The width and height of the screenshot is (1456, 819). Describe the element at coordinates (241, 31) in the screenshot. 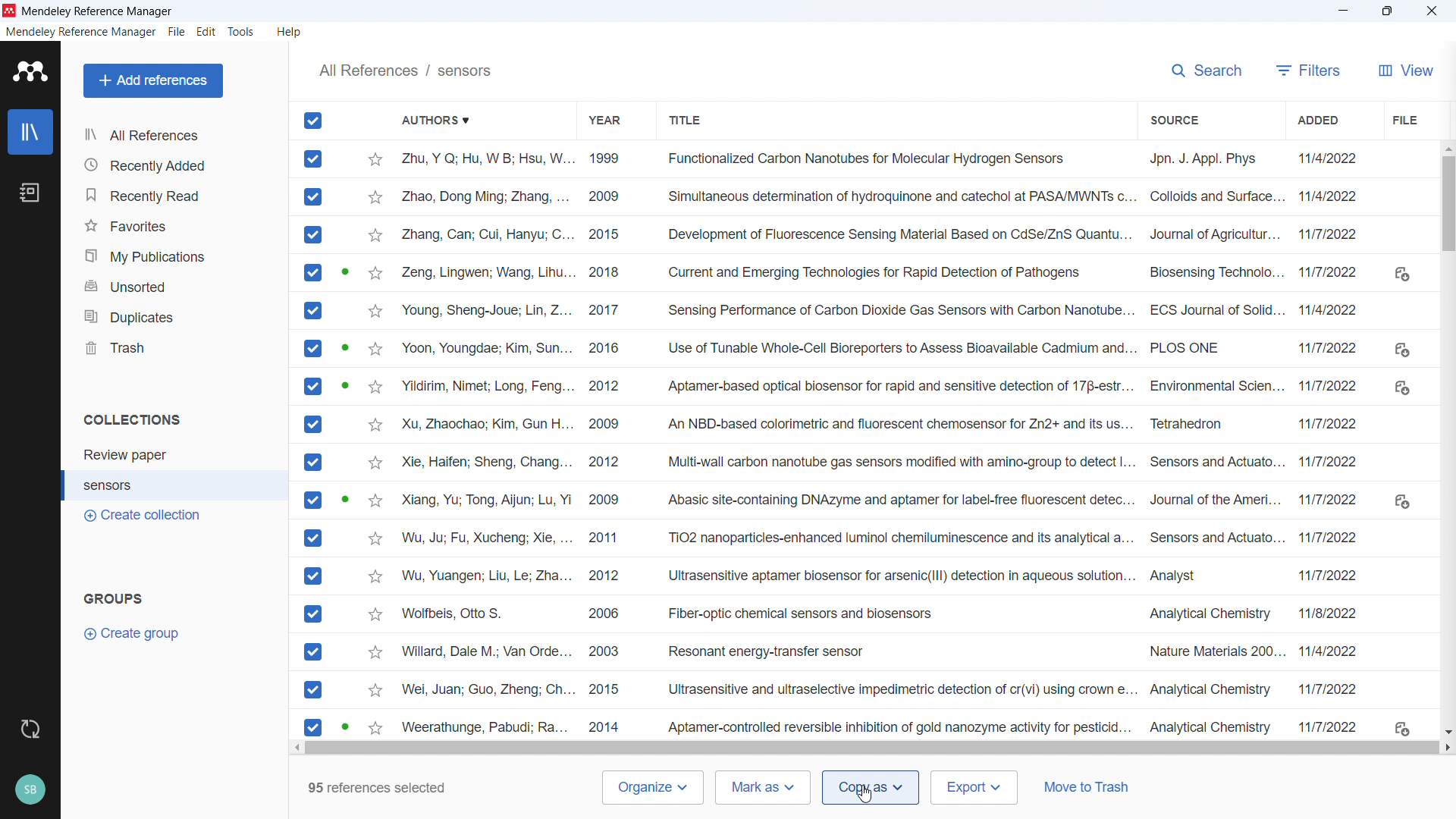

I see `tools` at that location.